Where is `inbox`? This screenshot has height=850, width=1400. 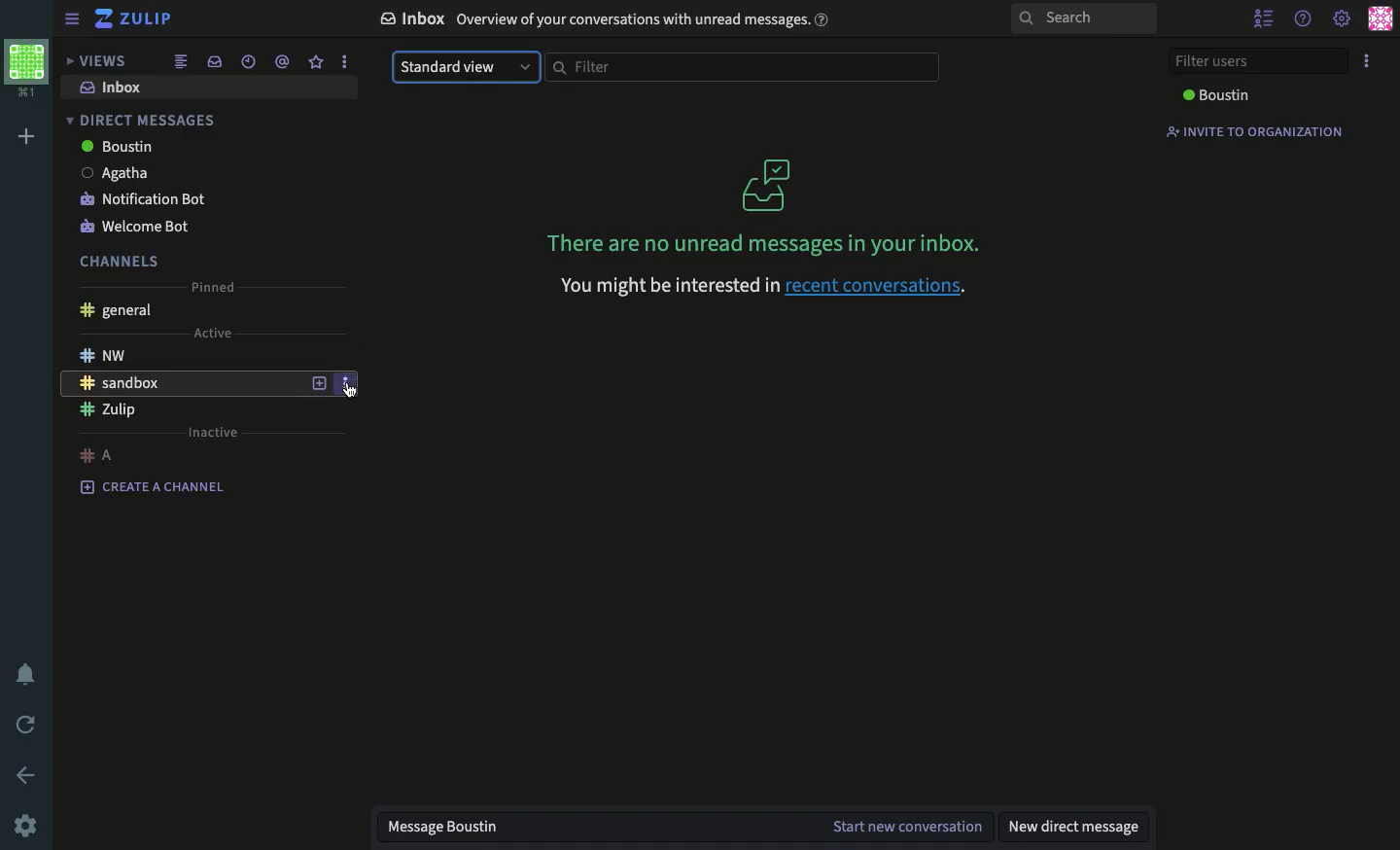 inbox is located at coordinates (217, 60).